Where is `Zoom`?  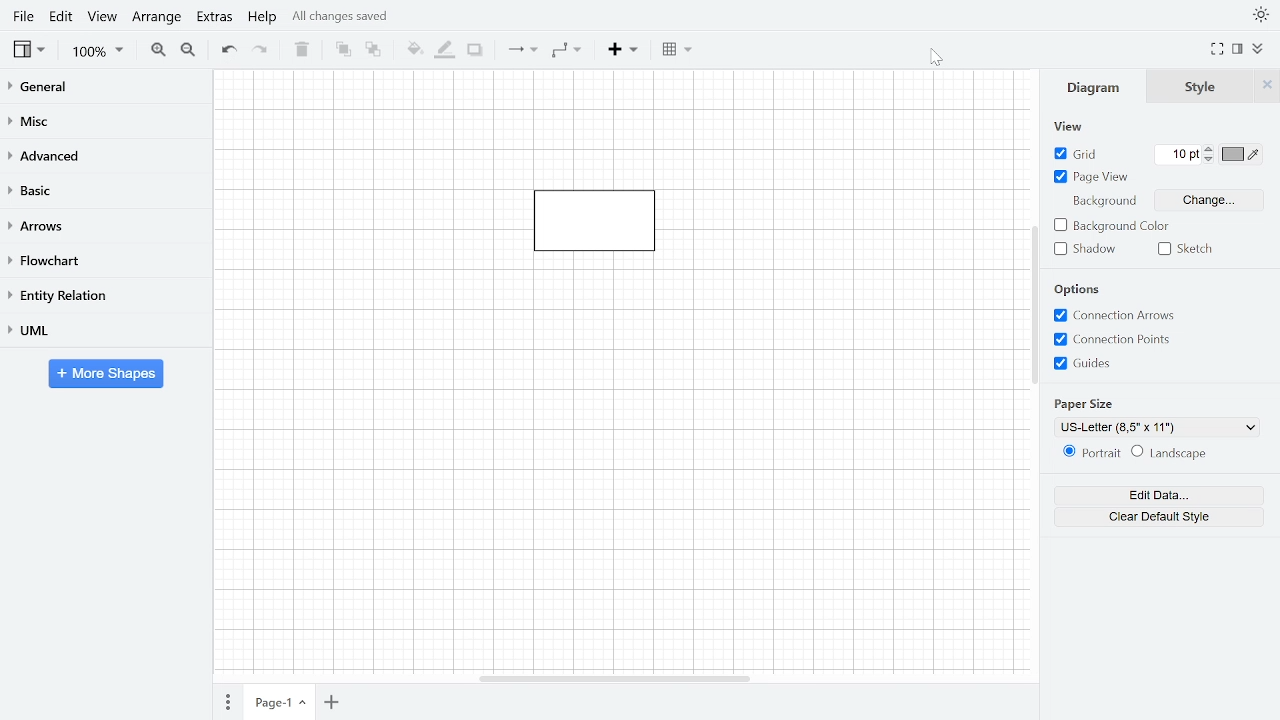
Zoom is located at coordinates (101, 51).